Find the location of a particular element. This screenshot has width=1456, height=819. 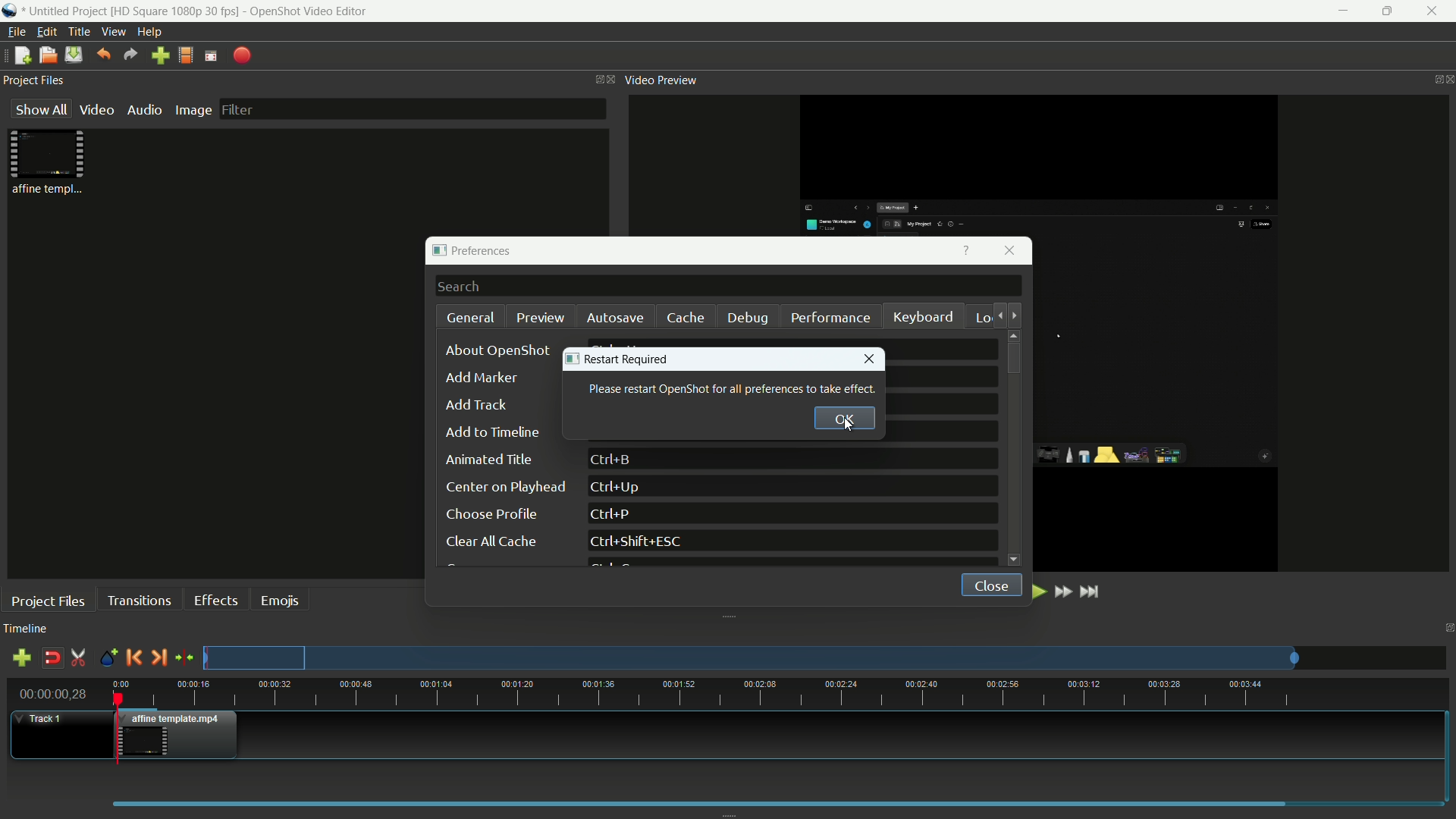

video preview is located at coordinates (662, 80).